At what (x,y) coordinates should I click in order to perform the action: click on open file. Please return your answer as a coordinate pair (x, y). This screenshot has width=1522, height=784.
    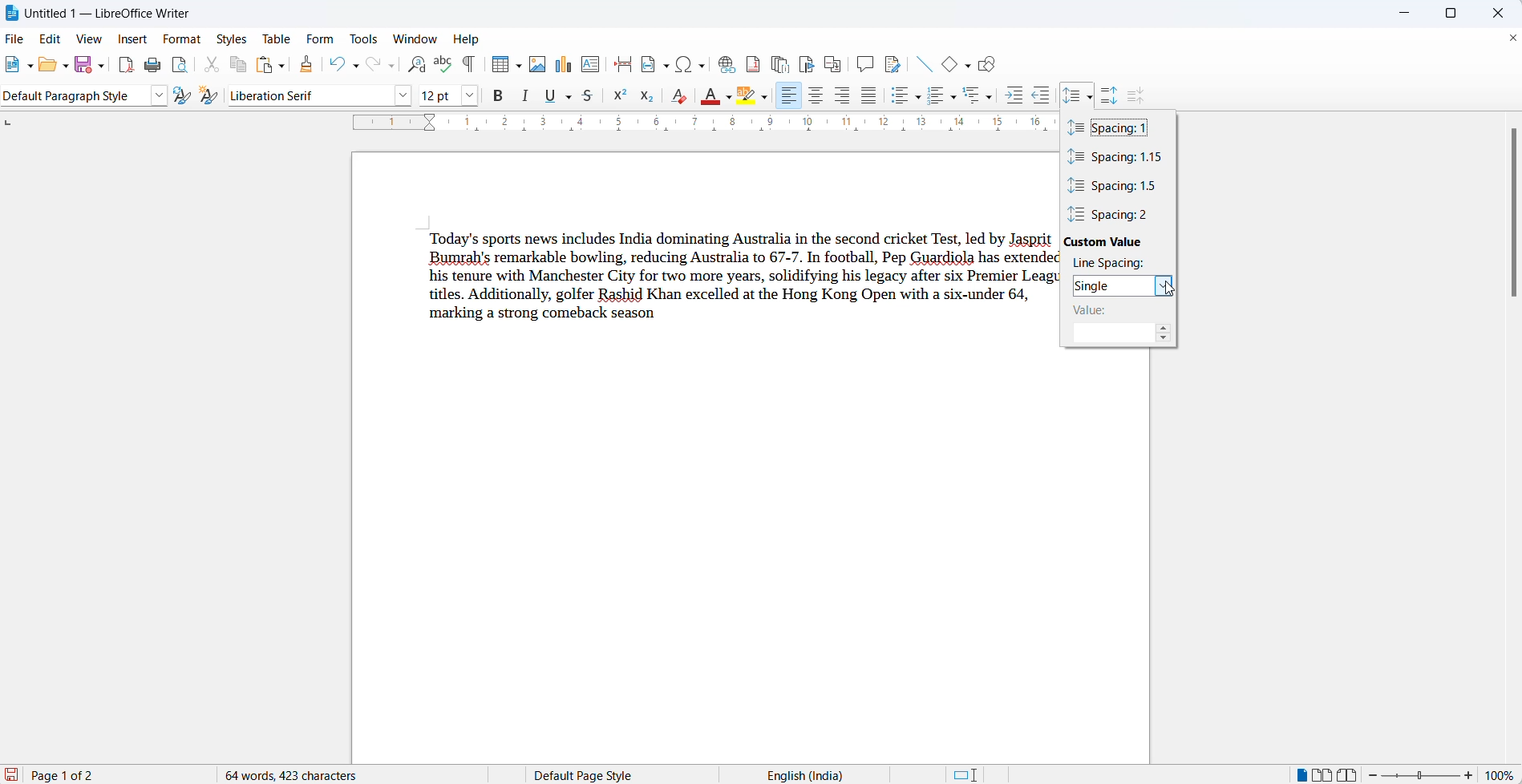
    Looking at the image, I should click on (44, 68).